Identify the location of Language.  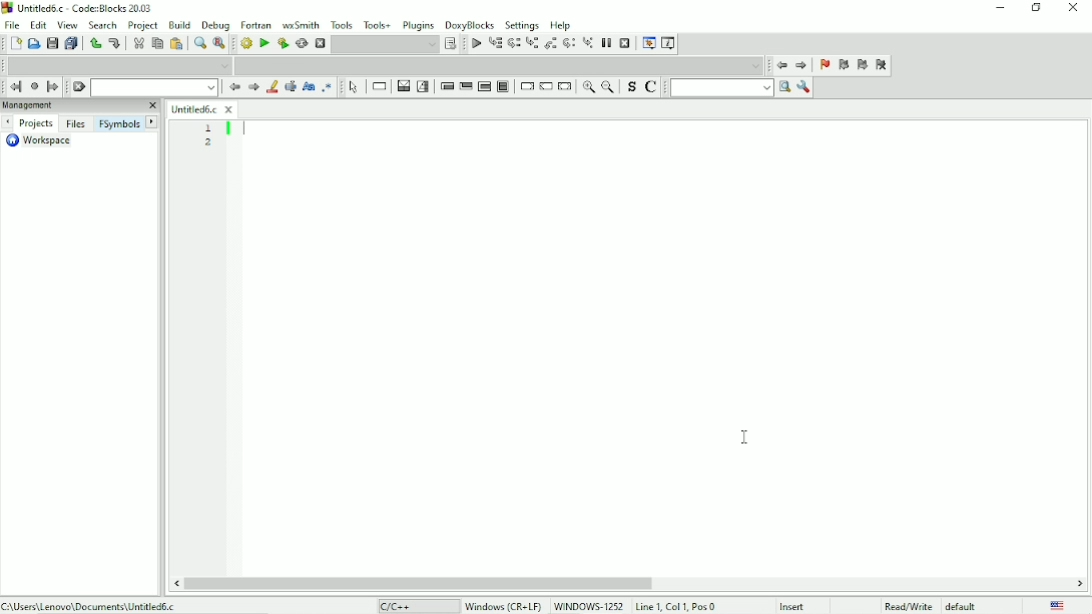
(1058, 605).